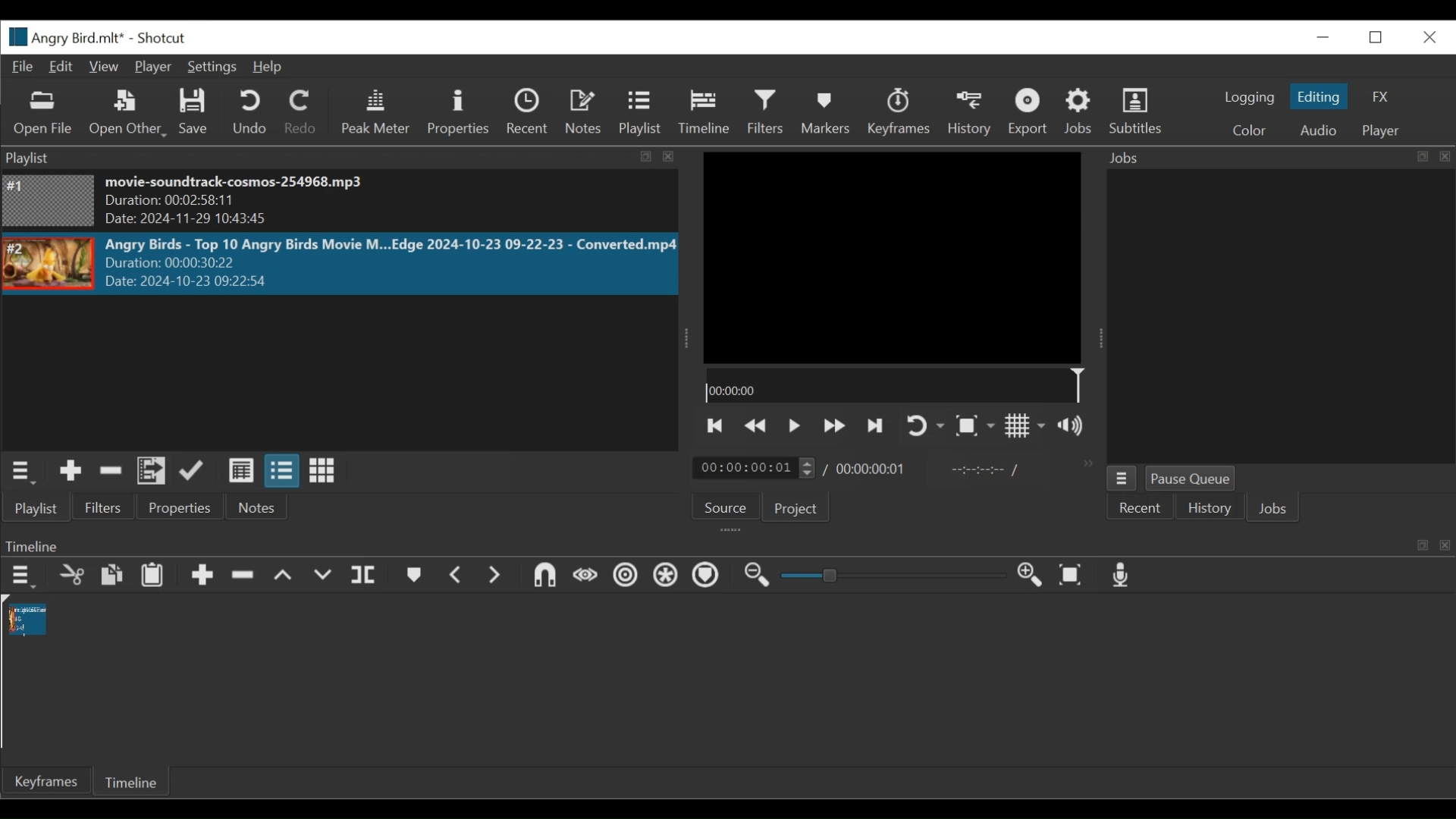 This screenshot has width=1456, height=819. What do you see at coordinates (22, 577) in the screenshot?
I see `Timeline menu` at bounding box center [22, 577].